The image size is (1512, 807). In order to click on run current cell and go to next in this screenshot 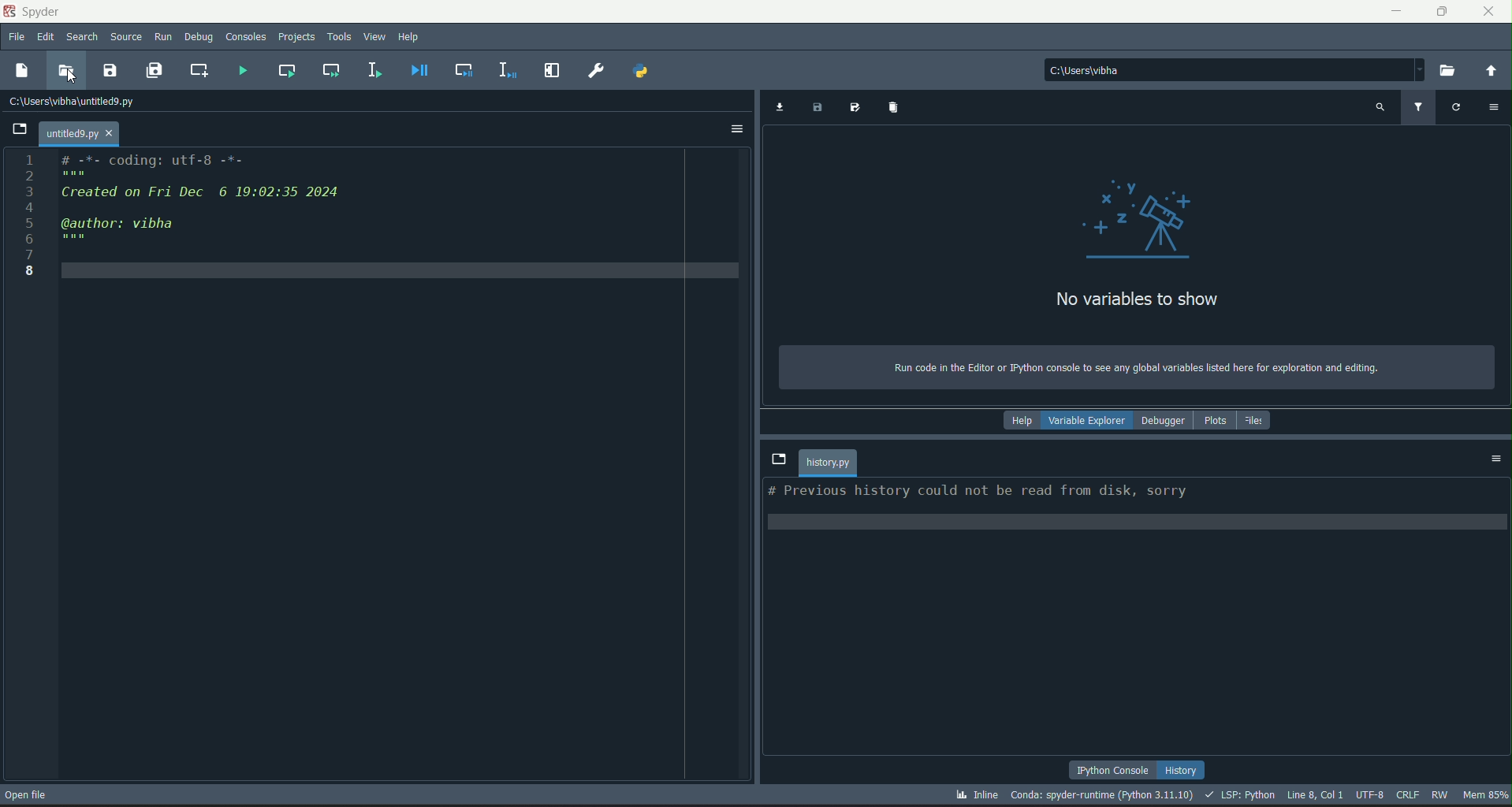, I will do `click(331, 70)`.